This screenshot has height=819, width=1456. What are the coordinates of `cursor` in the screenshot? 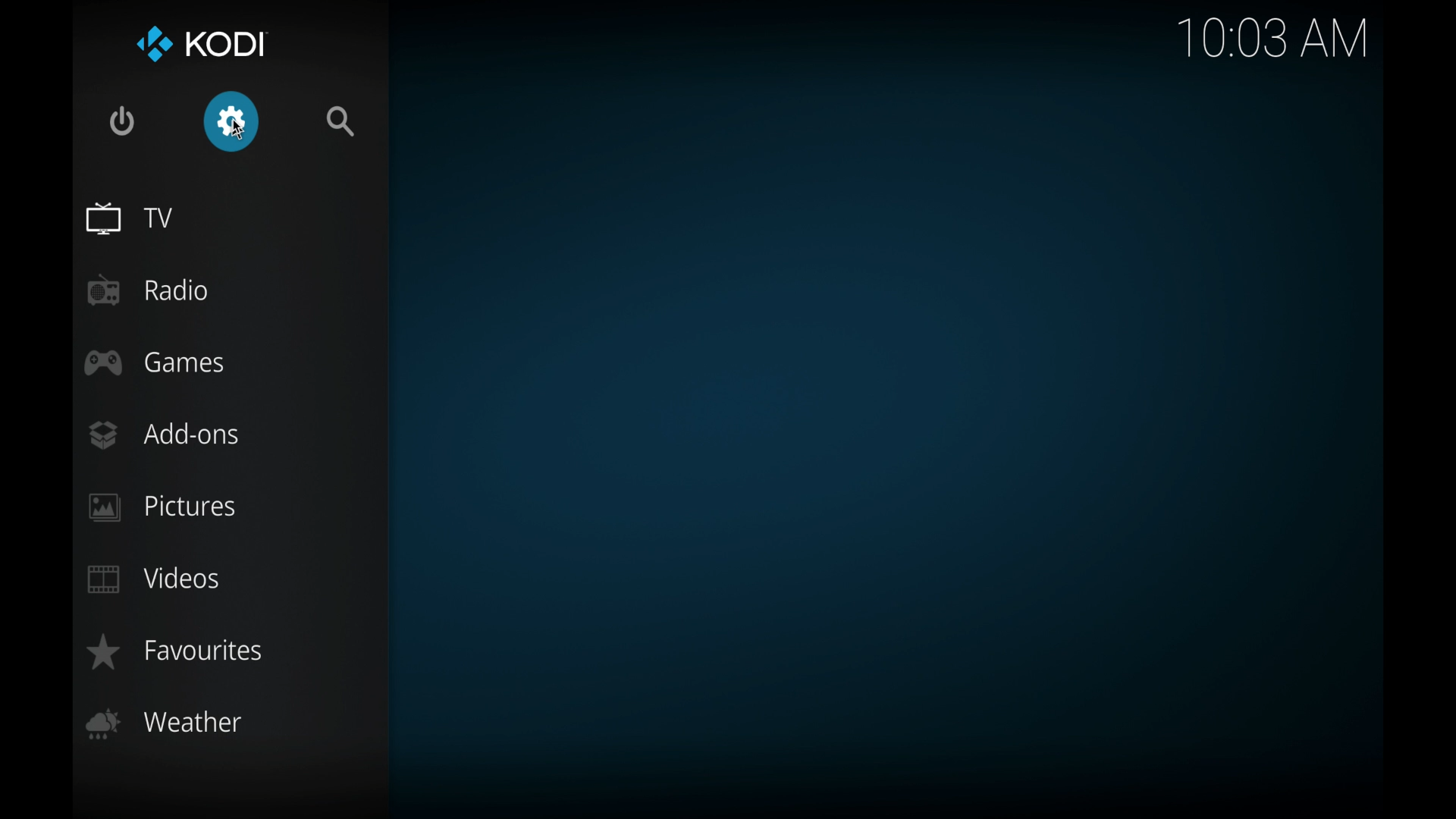 It's located at (231, 125).